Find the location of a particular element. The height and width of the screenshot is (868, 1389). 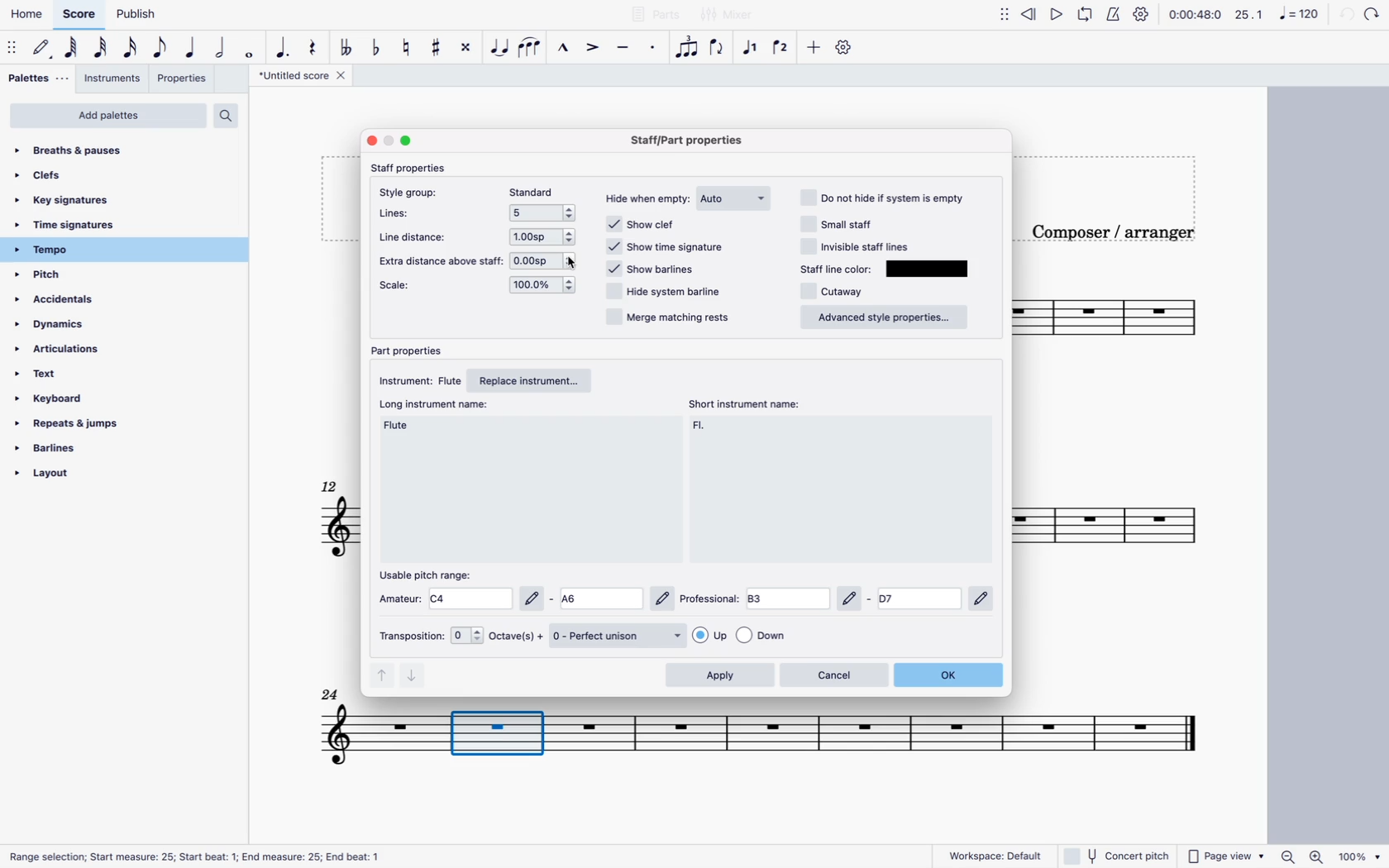

articulations is located at coordinates (69, 347).